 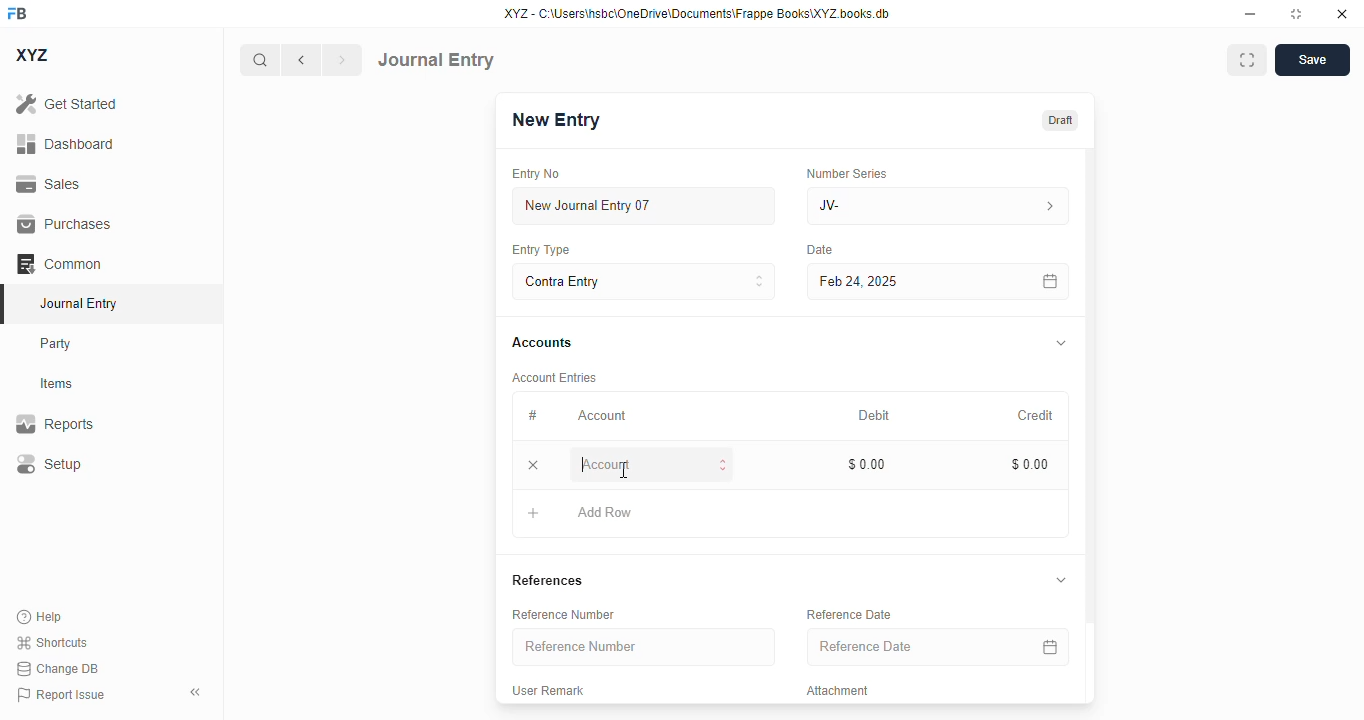 What do you see at coordinates (17, 13) in the screenshot?
I see `FB - logo` at bounding box center [17, 13].